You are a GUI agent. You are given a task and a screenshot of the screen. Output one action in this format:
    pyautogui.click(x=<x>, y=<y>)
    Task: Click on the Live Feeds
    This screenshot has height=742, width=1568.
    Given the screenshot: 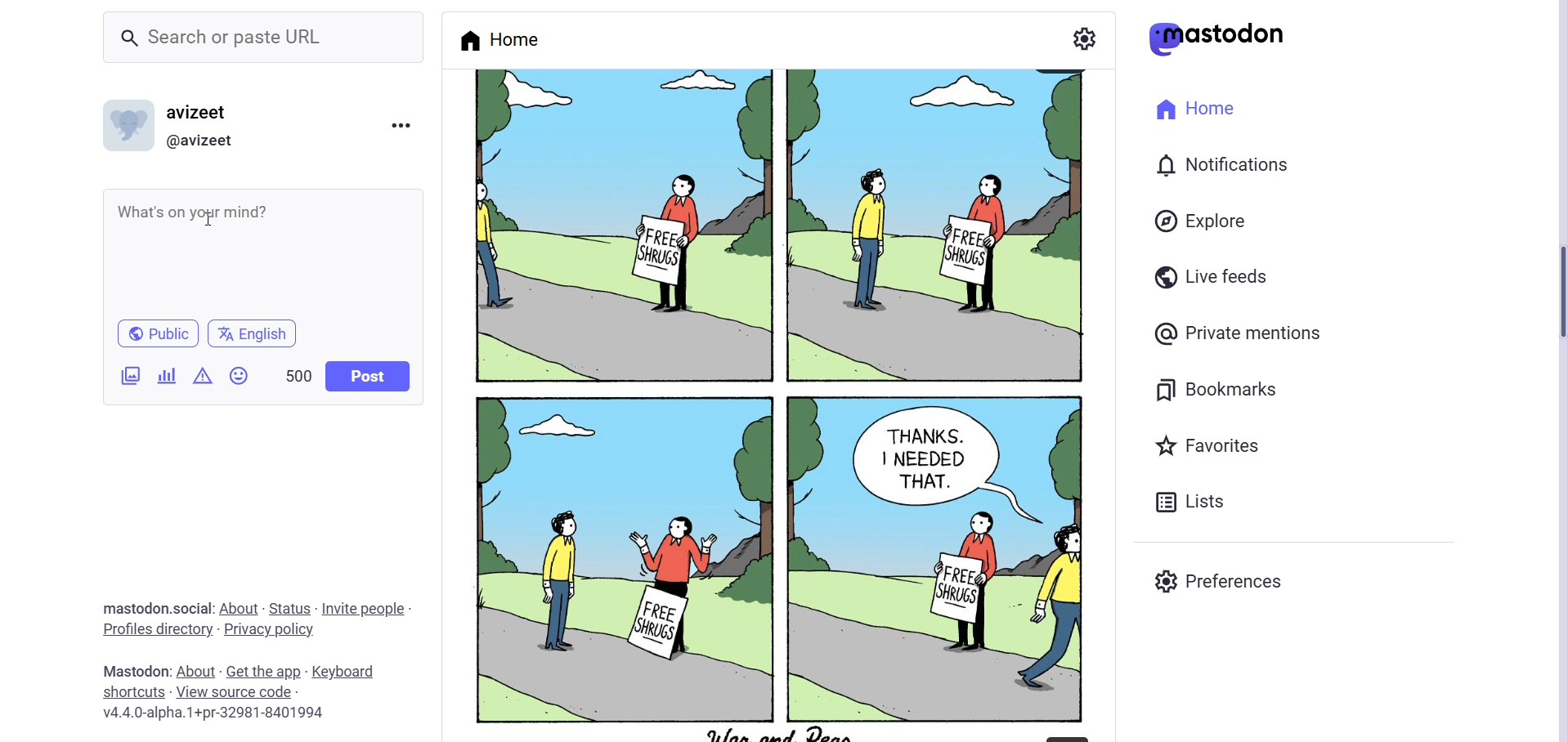 What is the action you would take?
    pyautogui.click(x=1212, y=276)
    